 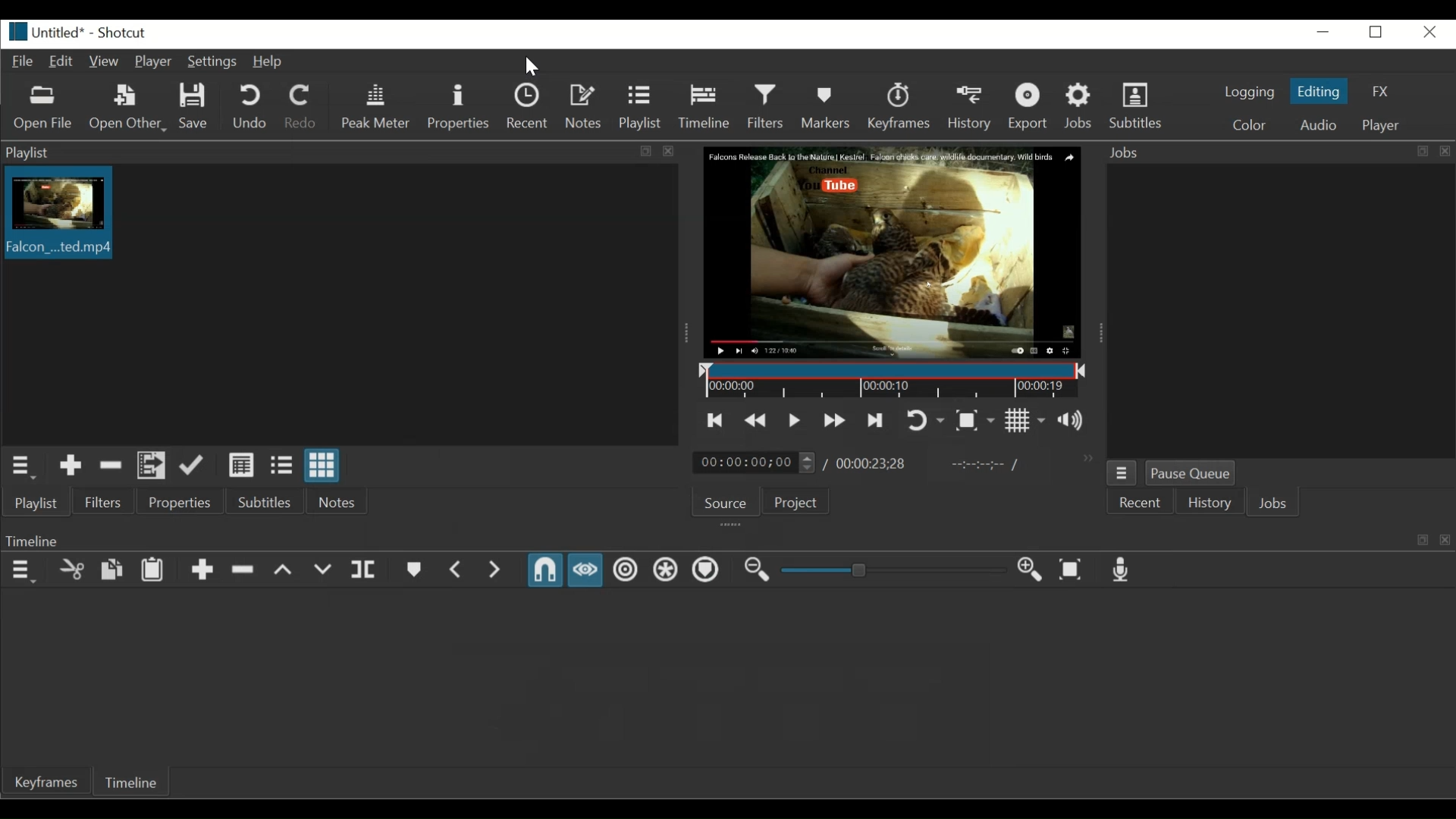 I want to click on Subtitles, so click(x=265, y=501).